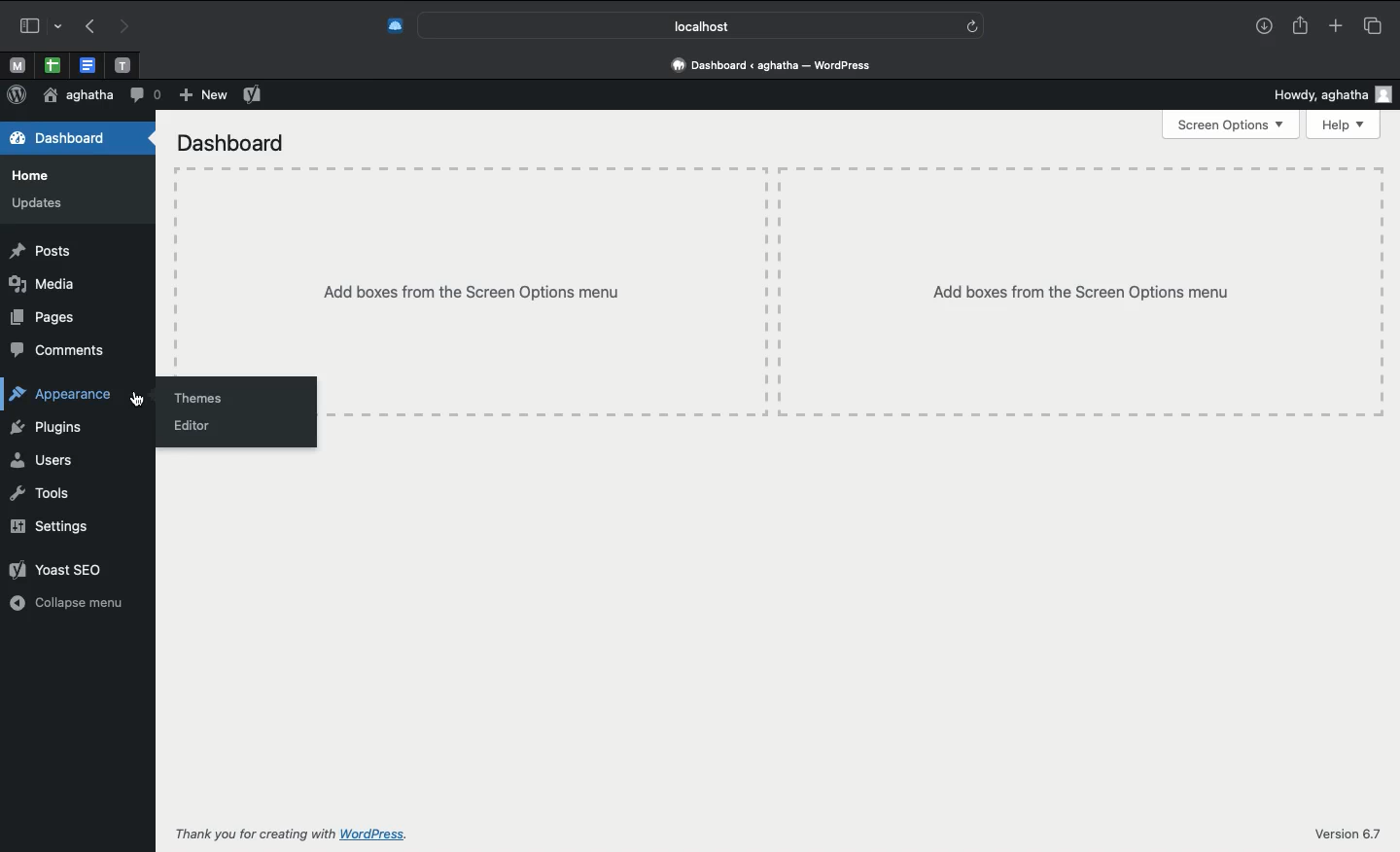 Image resolution: width=1400 pixels, height=852 pixels. Describe the element at coordinates (230, 147) in the screenshot. I see `Dashboard` at that location.